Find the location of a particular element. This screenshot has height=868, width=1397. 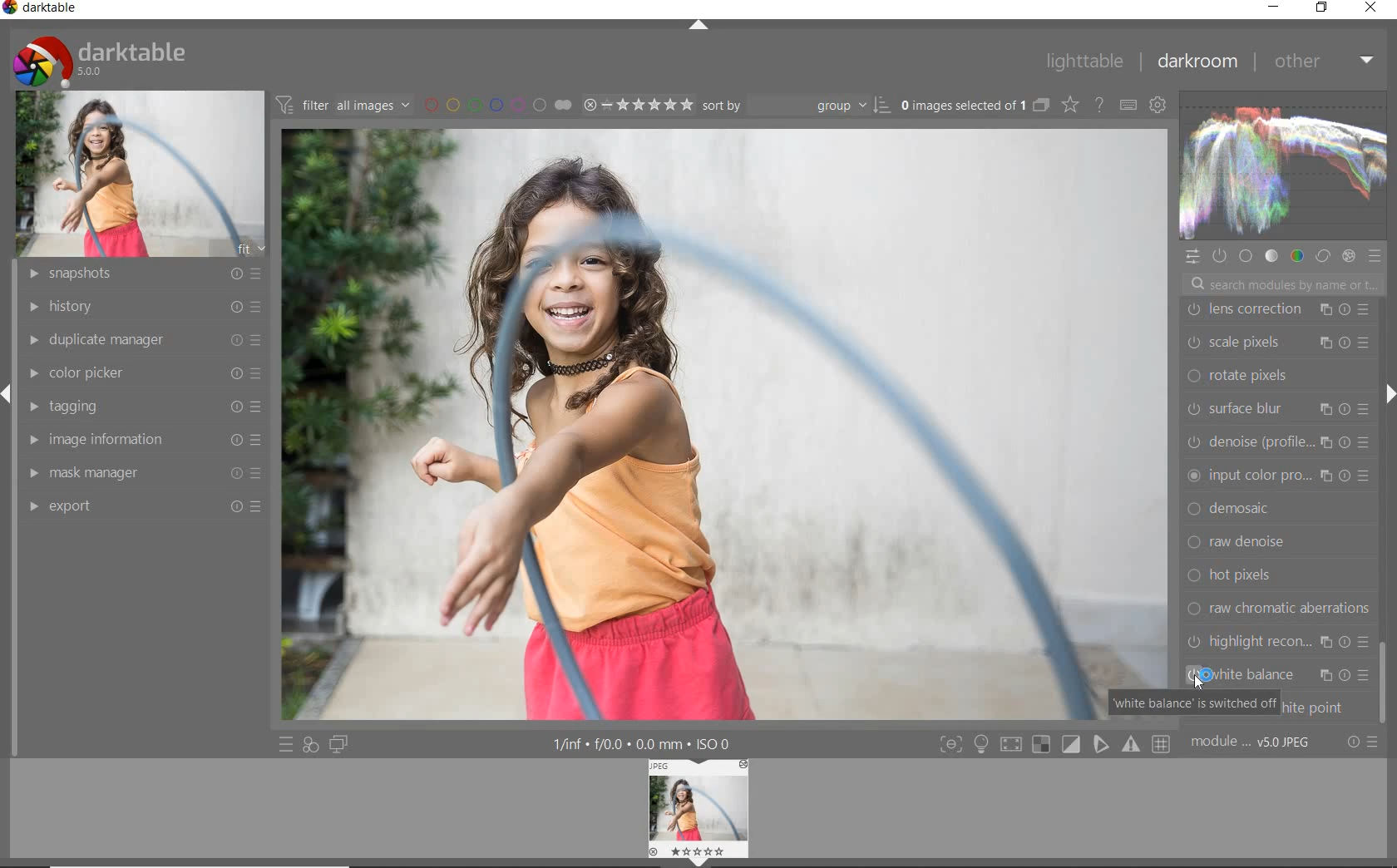

quick access for applying any of your styles is located at coordinates (310, 746).